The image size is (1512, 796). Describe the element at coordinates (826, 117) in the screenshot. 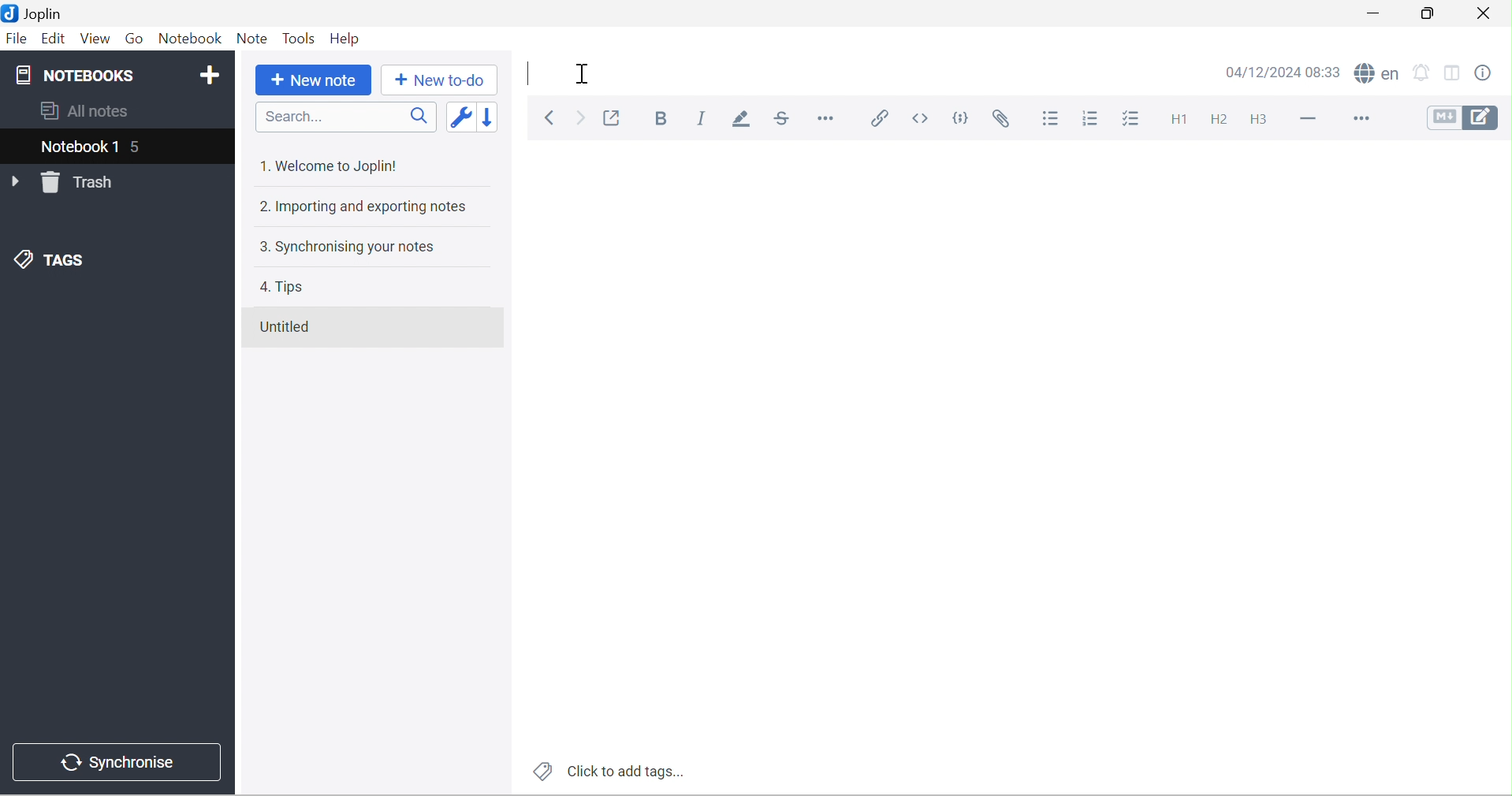

I see `Horizontal` at that location.